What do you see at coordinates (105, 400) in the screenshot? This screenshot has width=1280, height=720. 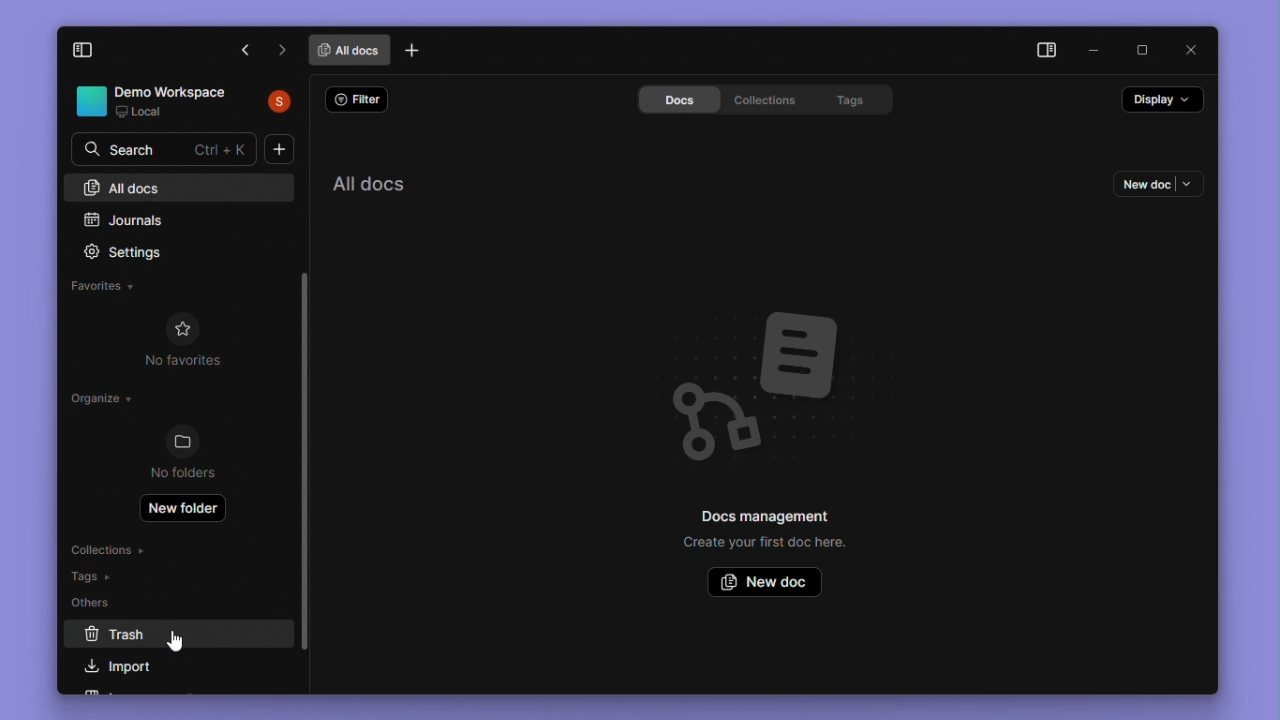 I see `Organize` at bounding box center [105, 400].